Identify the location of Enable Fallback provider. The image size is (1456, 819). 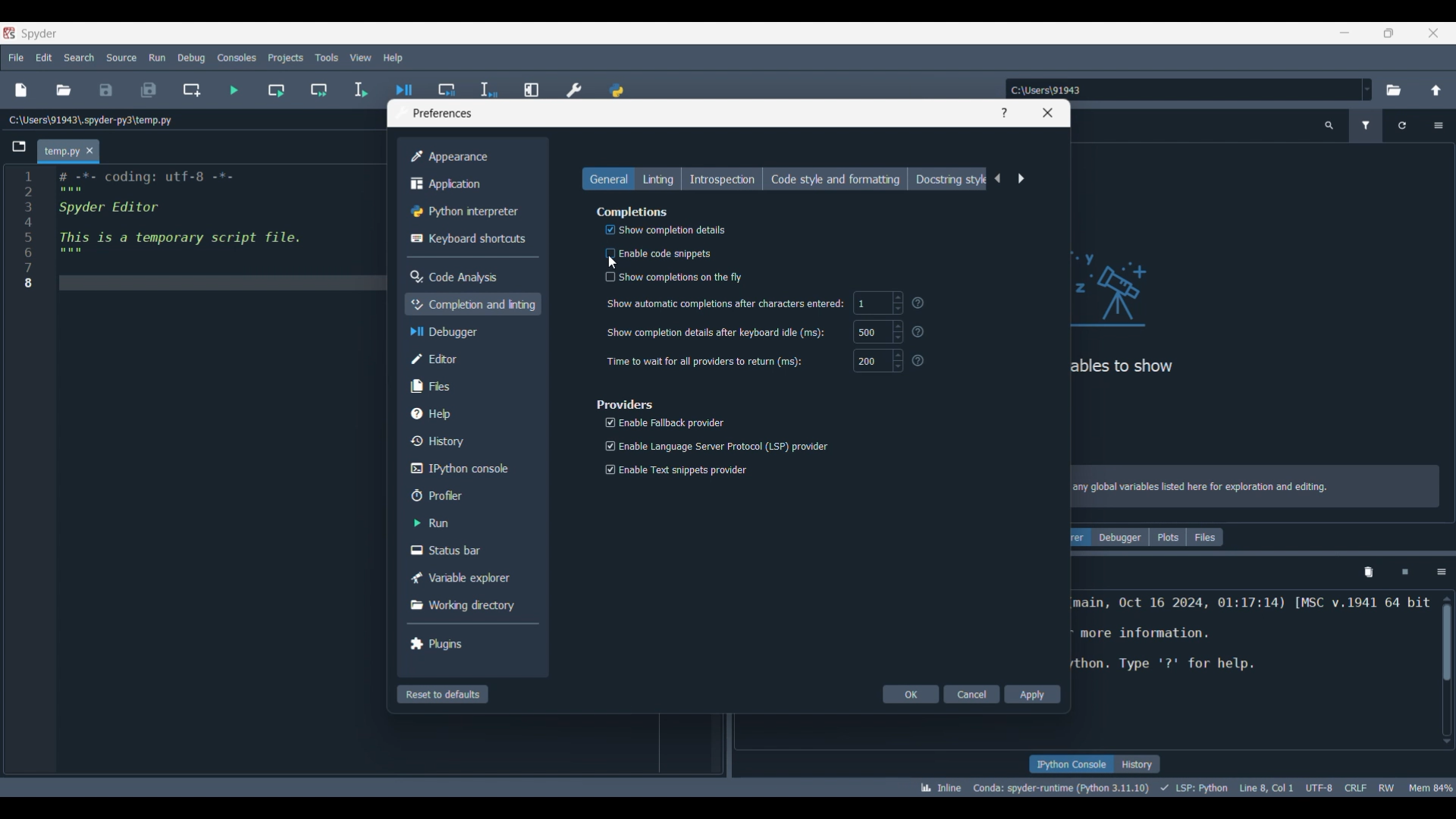
(664, 422).